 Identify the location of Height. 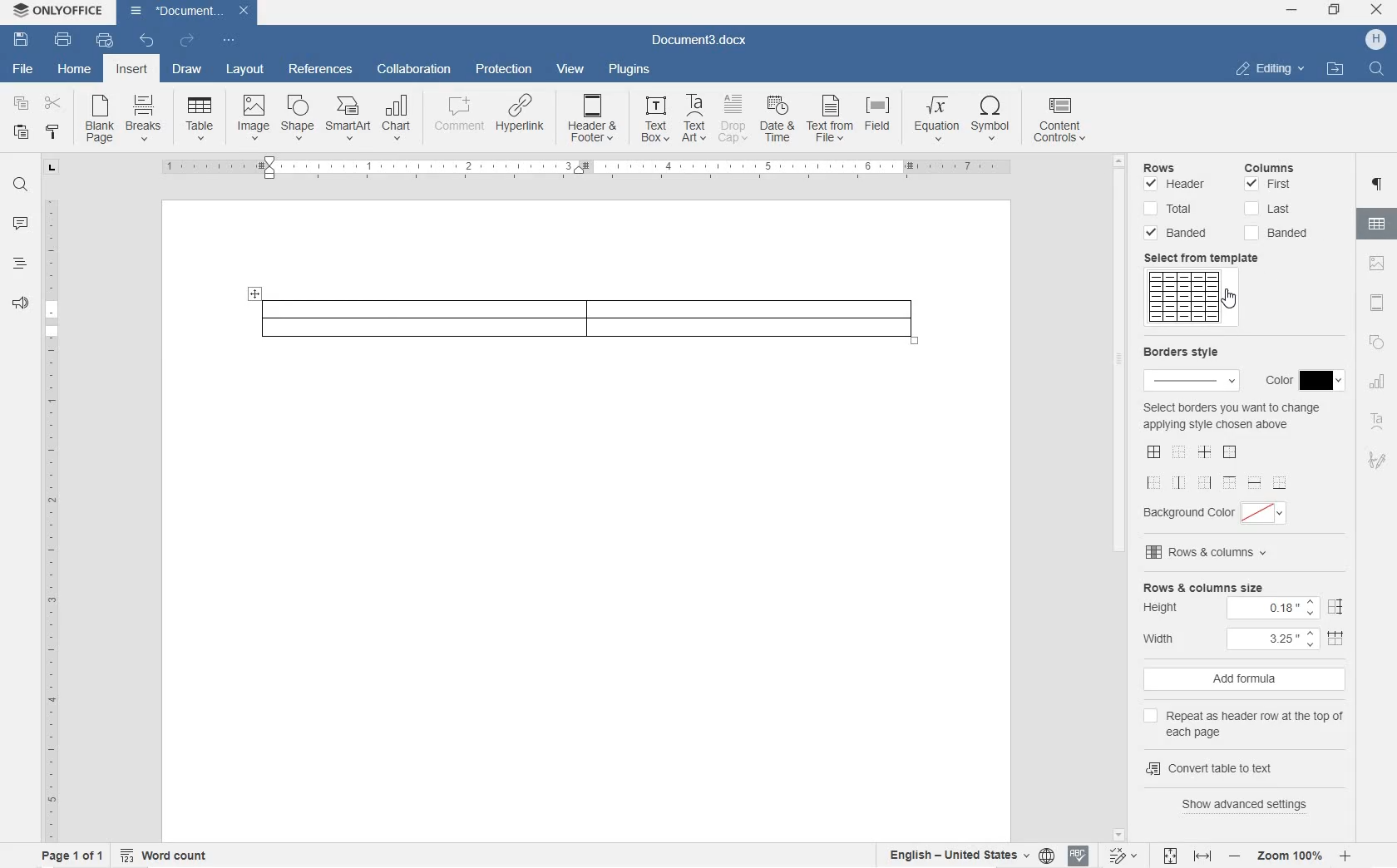
(1243, 609).